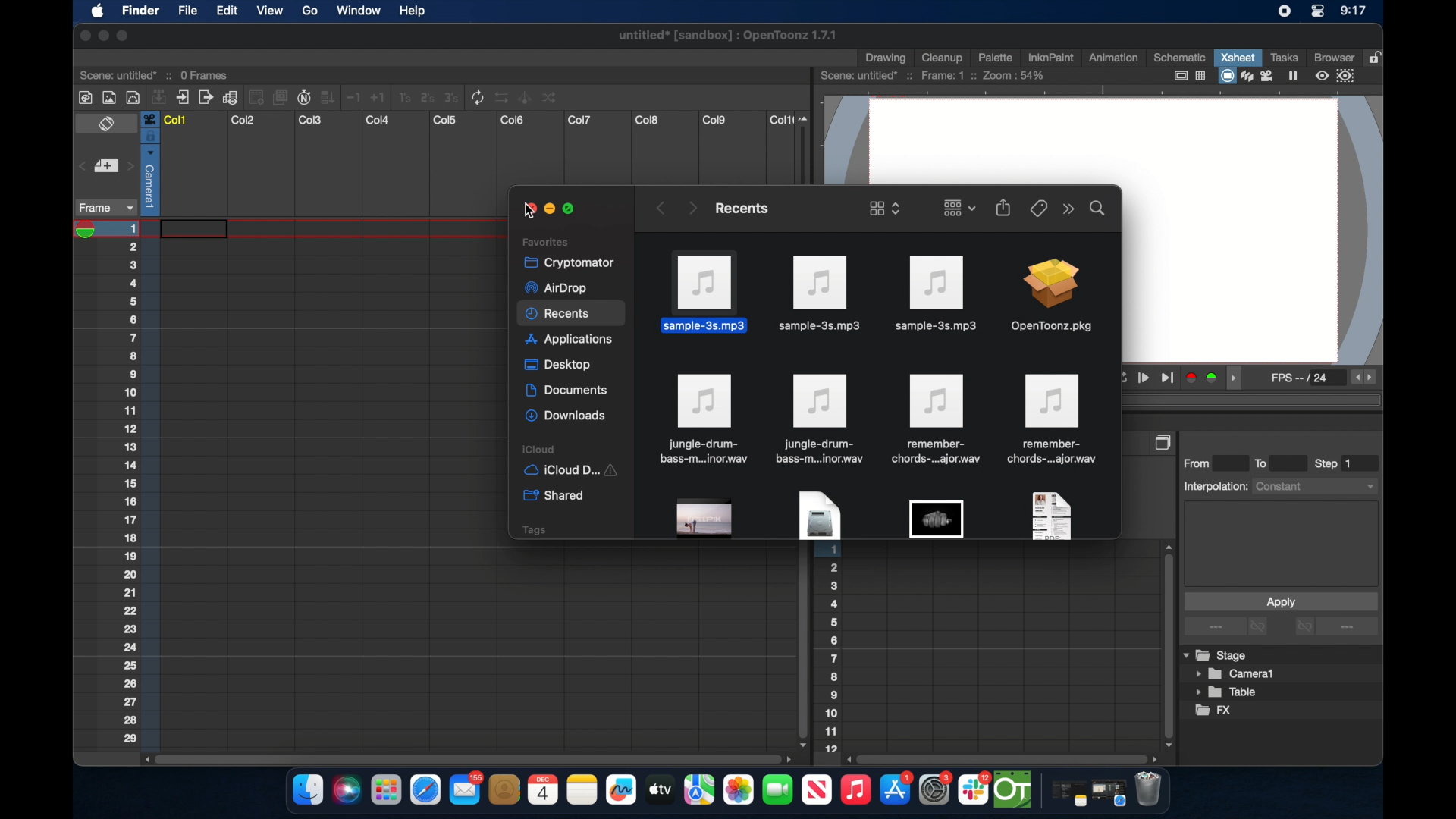  I want to click on view, so click(268, 11).